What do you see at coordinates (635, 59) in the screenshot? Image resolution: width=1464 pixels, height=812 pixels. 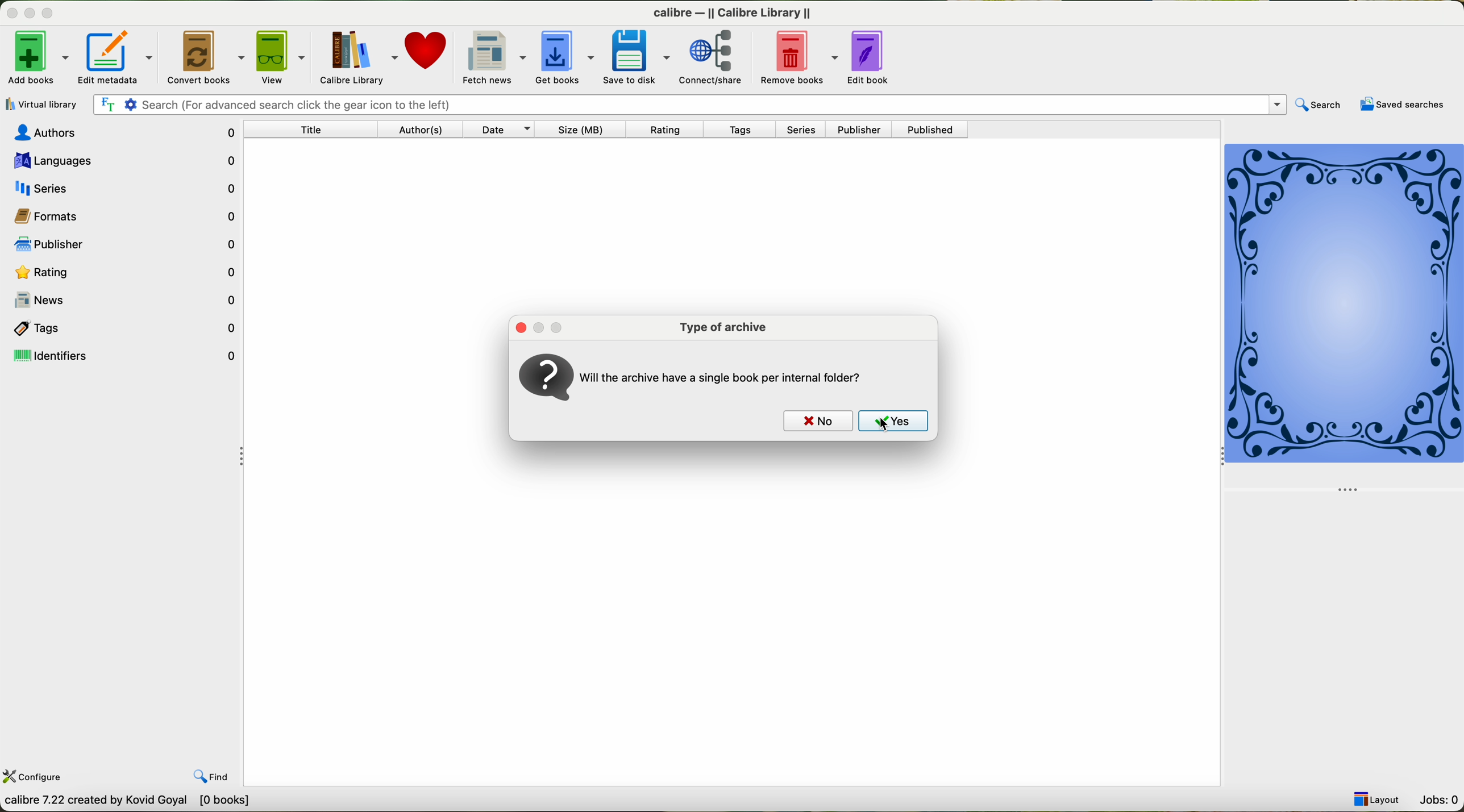 I see `save to disk` at bounding box center [635, 59].